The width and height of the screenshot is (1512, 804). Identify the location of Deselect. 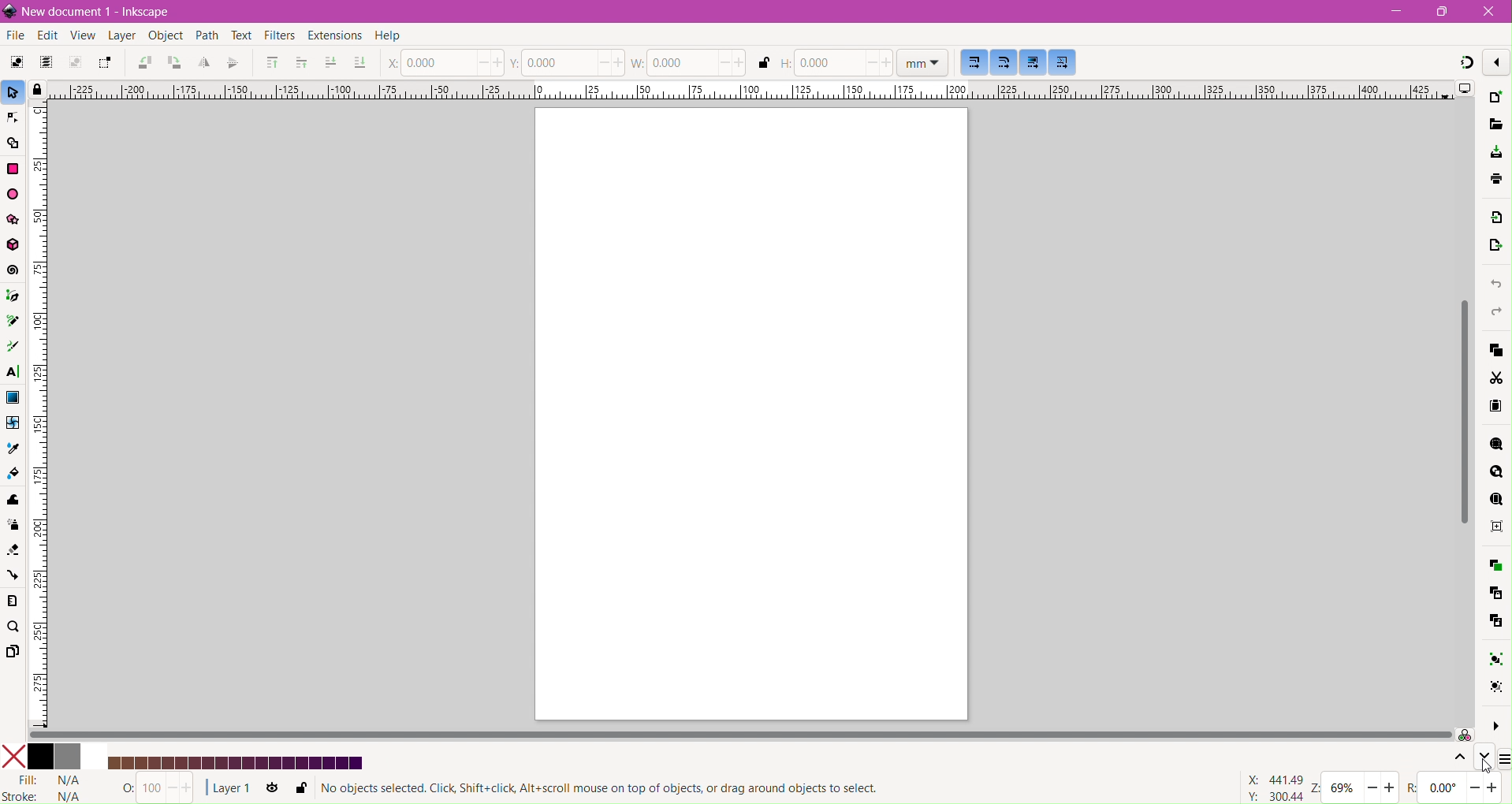
(76, 63).